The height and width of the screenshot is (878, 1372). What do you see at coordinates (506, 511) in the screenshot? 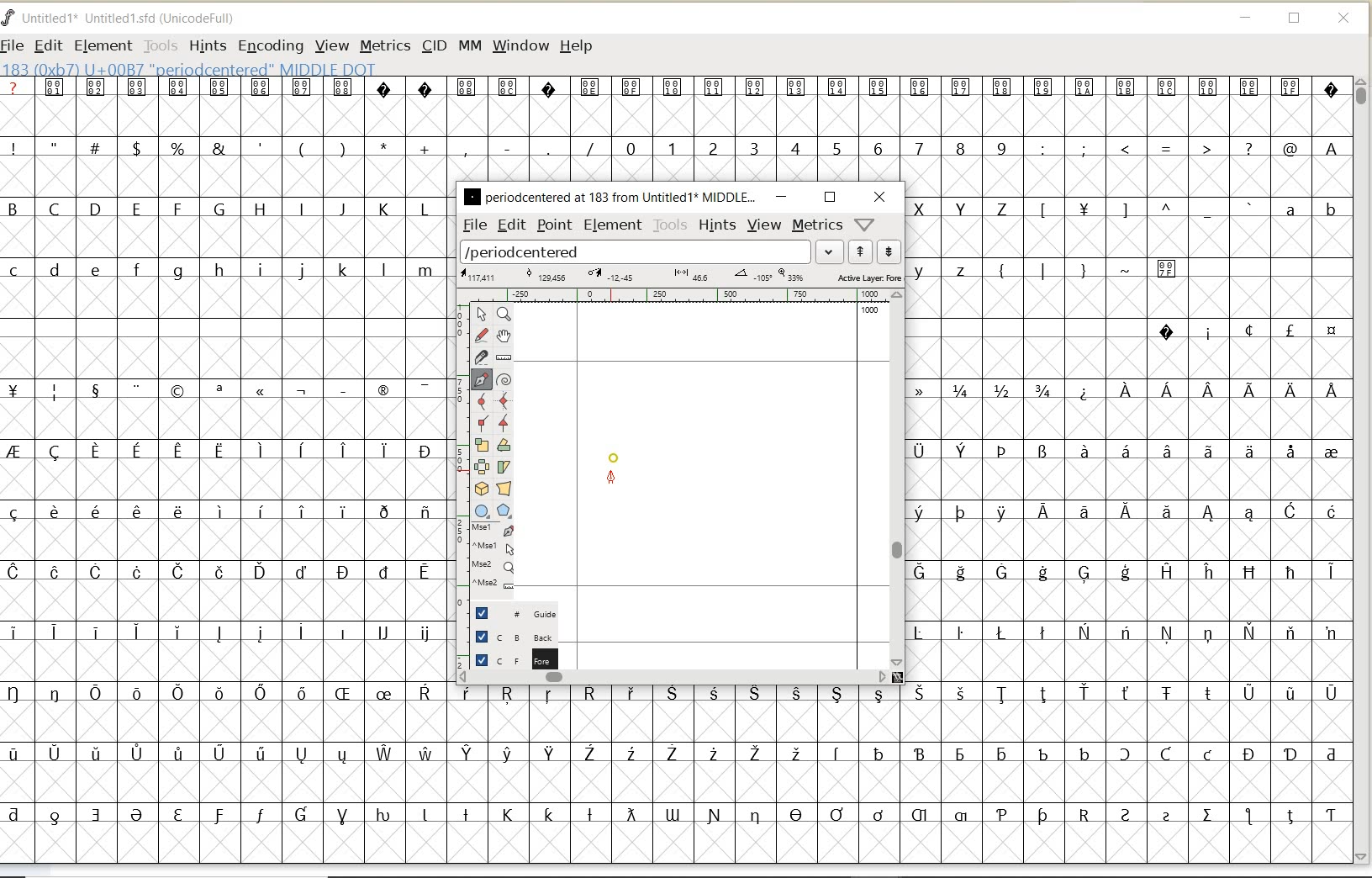
I see `polygon or star` at bounding box center [506, 511].